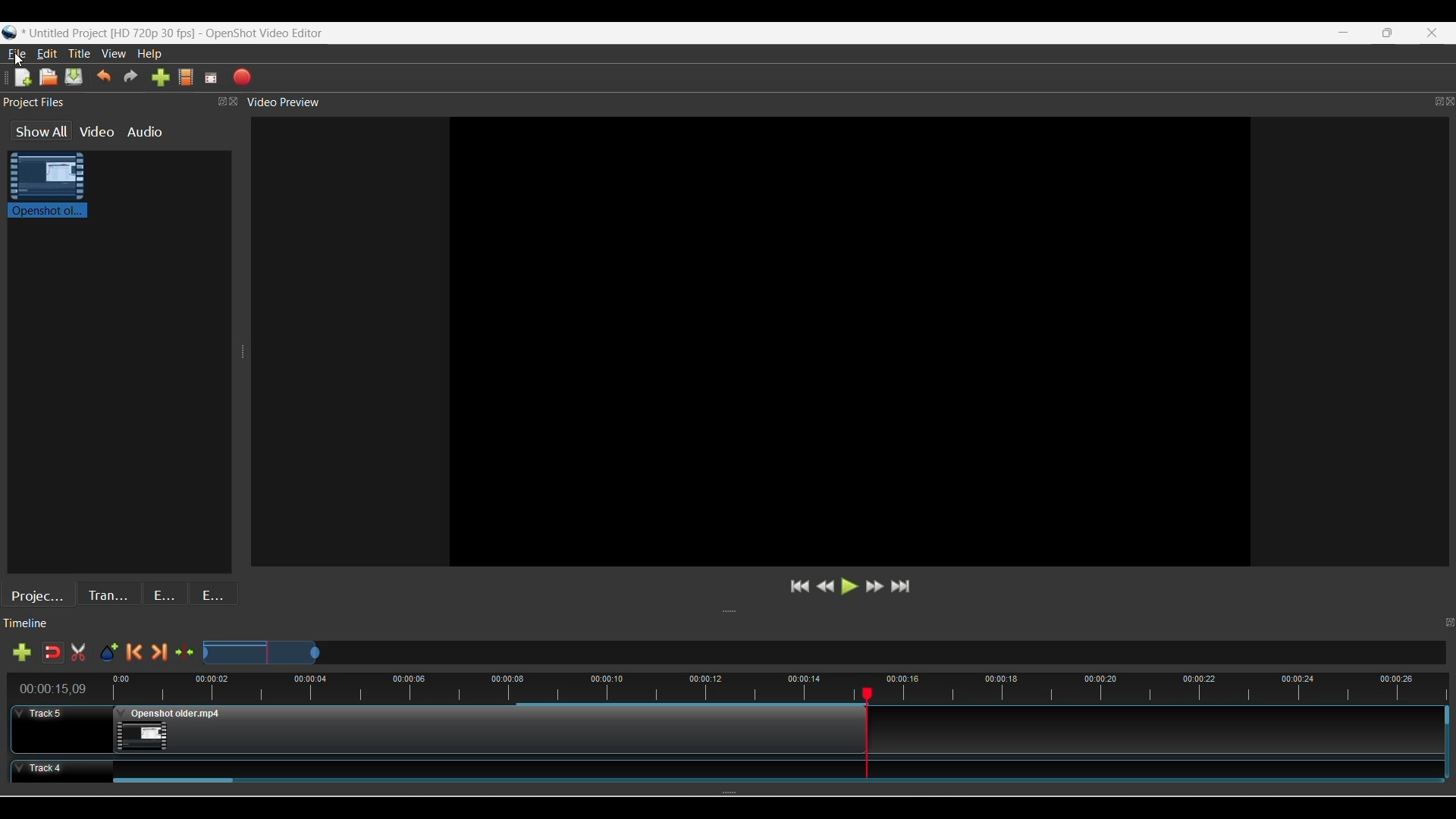 The image size is (1456, 819). Describe the element at coordinates (108, 594) in the screenshot. I see `Transitions` at that location.